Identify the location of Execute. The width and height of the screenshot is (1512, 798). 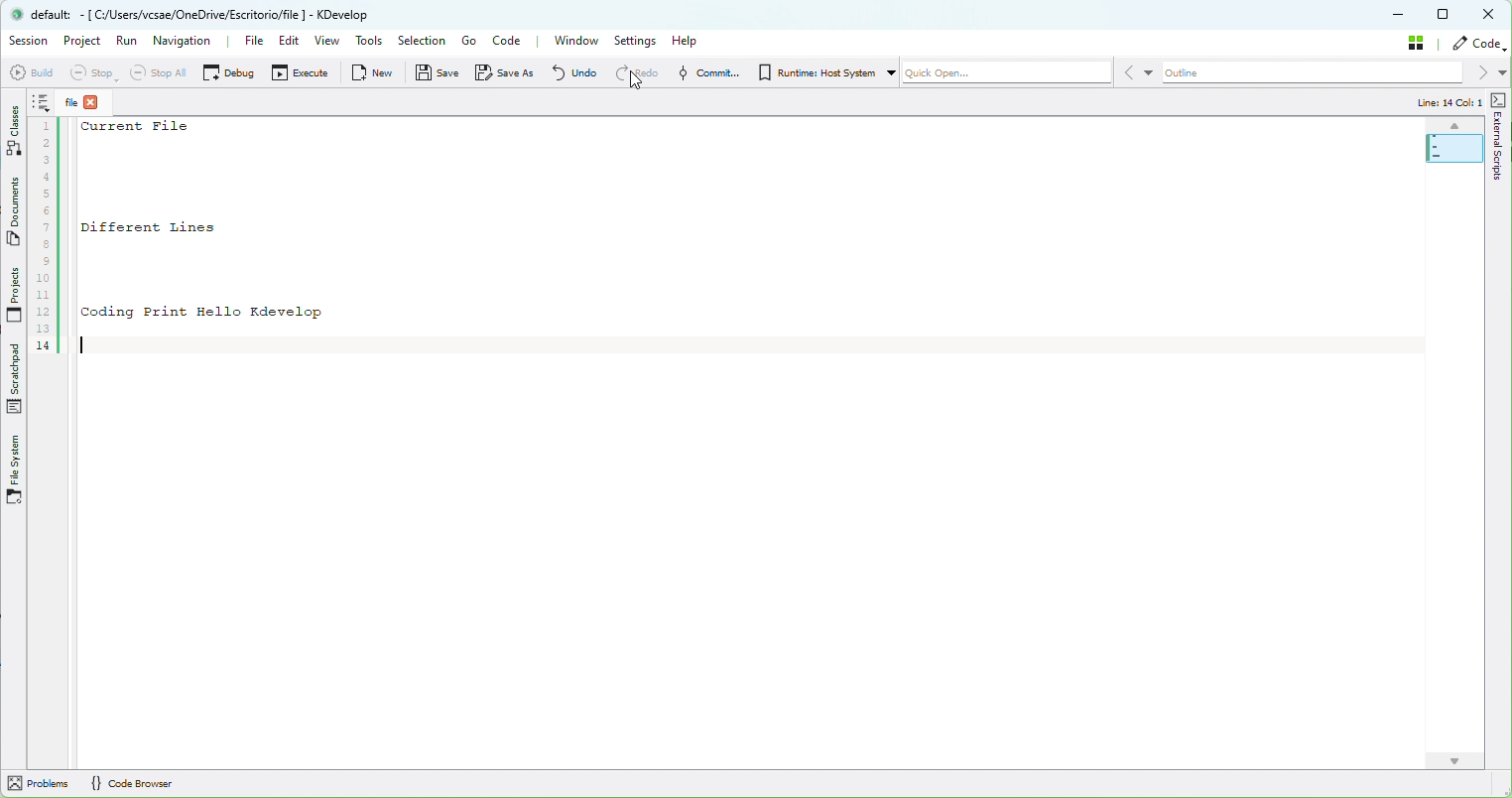
(305, 70).